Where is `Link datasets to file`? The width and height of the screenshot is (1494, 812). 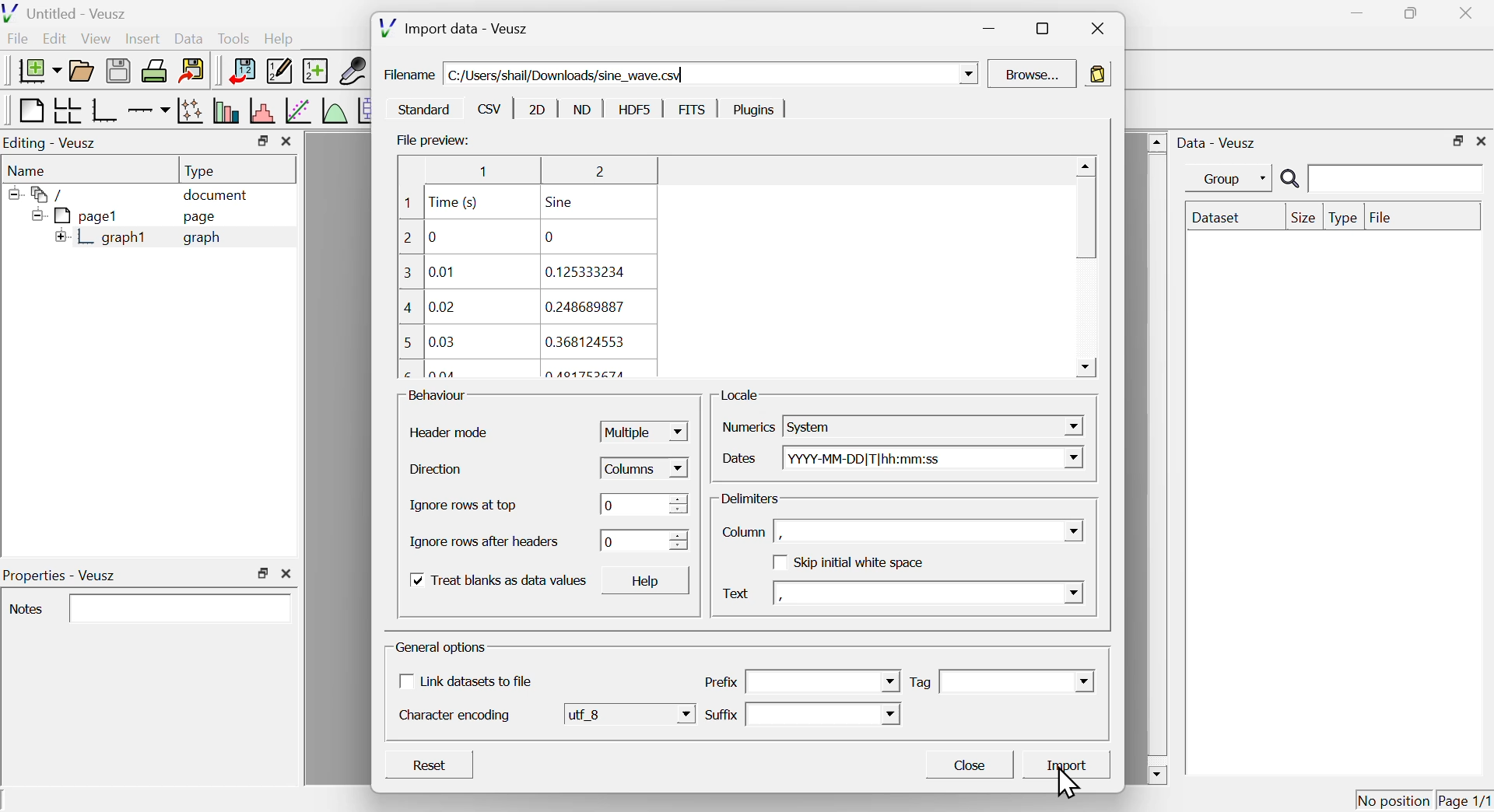 Link datasets to file is located at coordinates (475, 681).